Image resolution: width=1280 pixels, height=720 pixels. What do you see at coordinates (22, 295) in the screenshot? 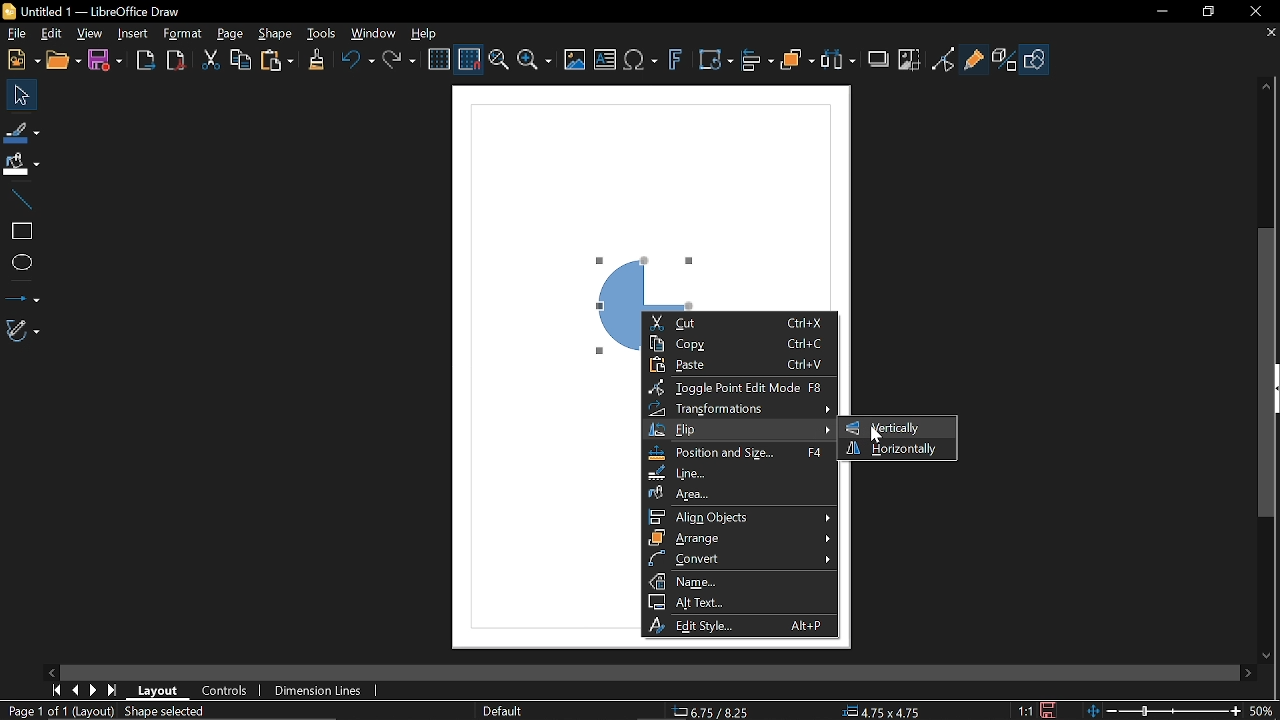
I see `Lines and arrows` at bounding box center [22, 295].